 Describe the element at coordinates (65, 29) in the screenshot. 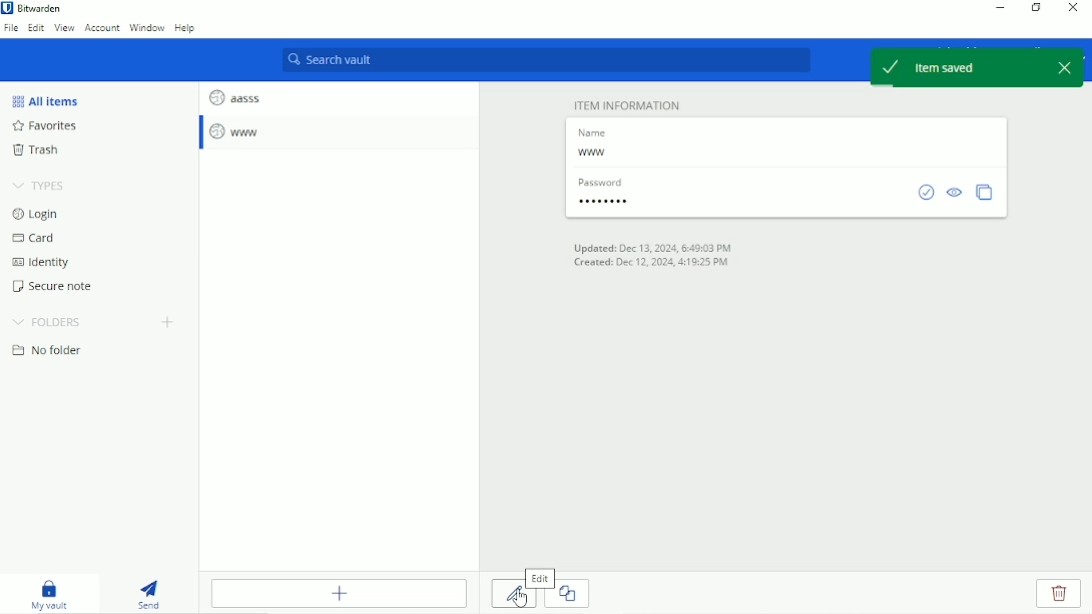

I see `View` at that location.